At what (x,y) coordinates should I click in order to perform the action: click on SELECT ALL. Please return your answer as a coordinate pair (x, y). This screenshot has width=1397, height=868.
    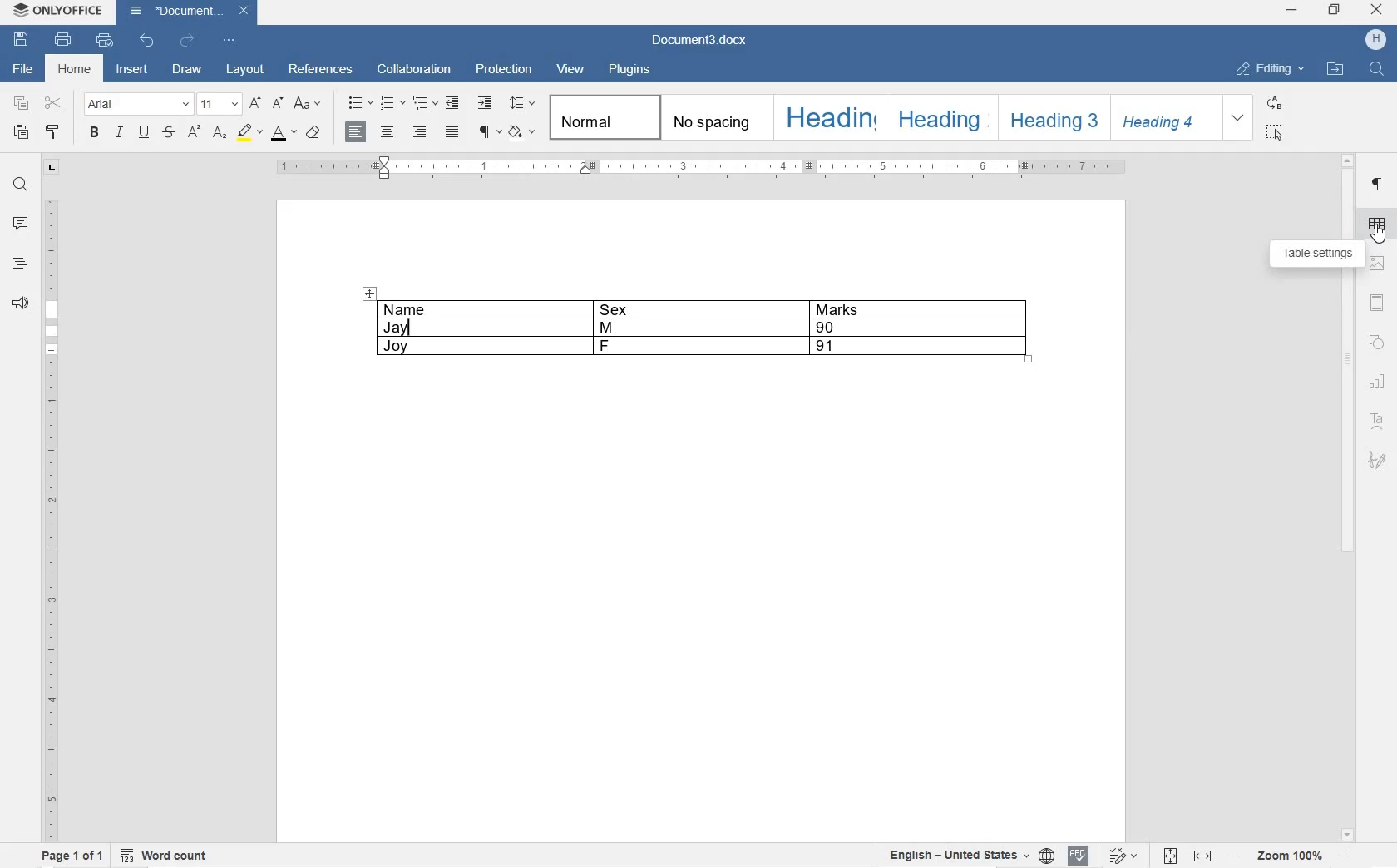
    Looking at the image, I should click on (1276, 132).